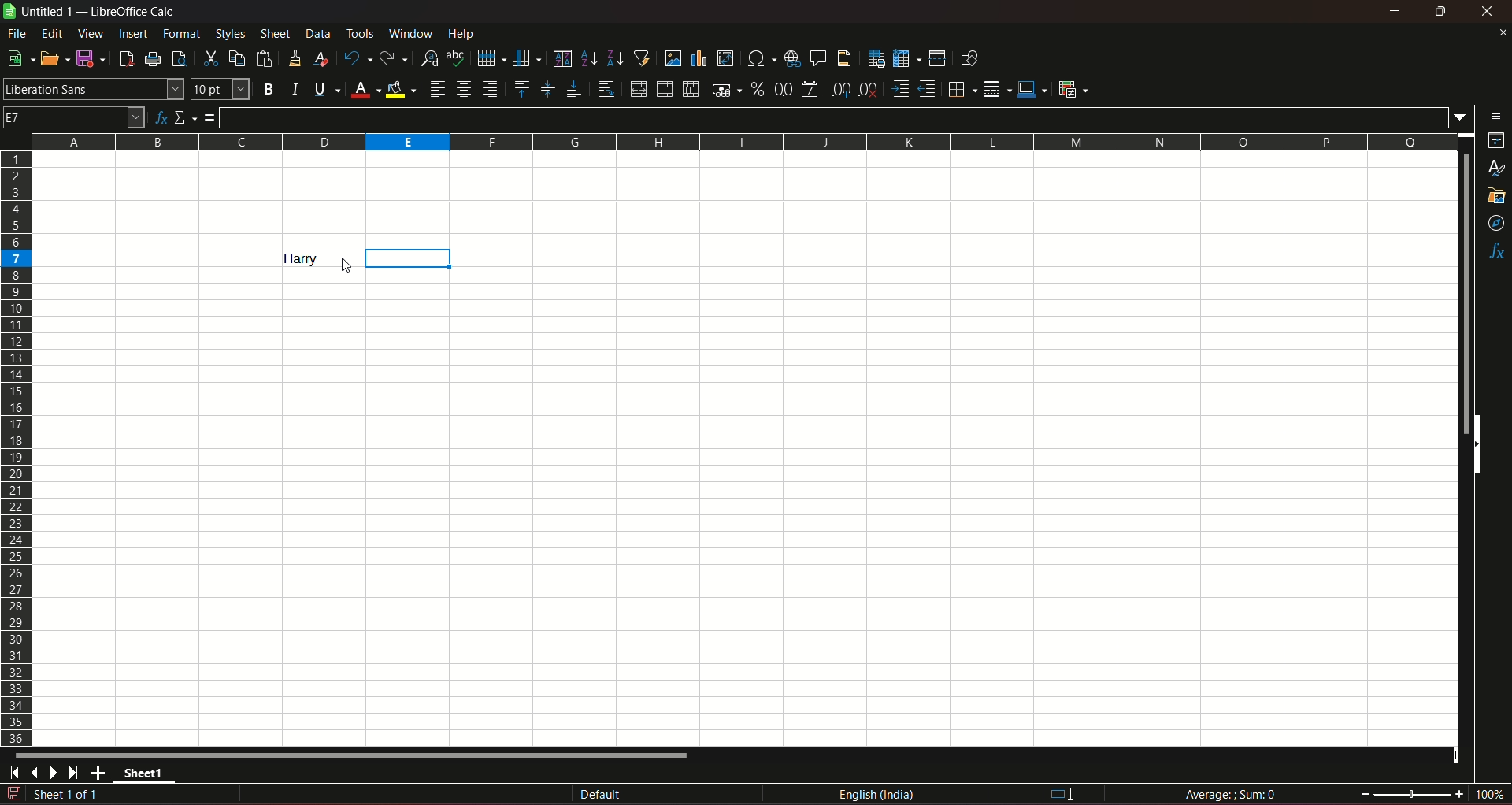 The image size is (1512, 805). I want to click on headers & footers, so click(843, 57).